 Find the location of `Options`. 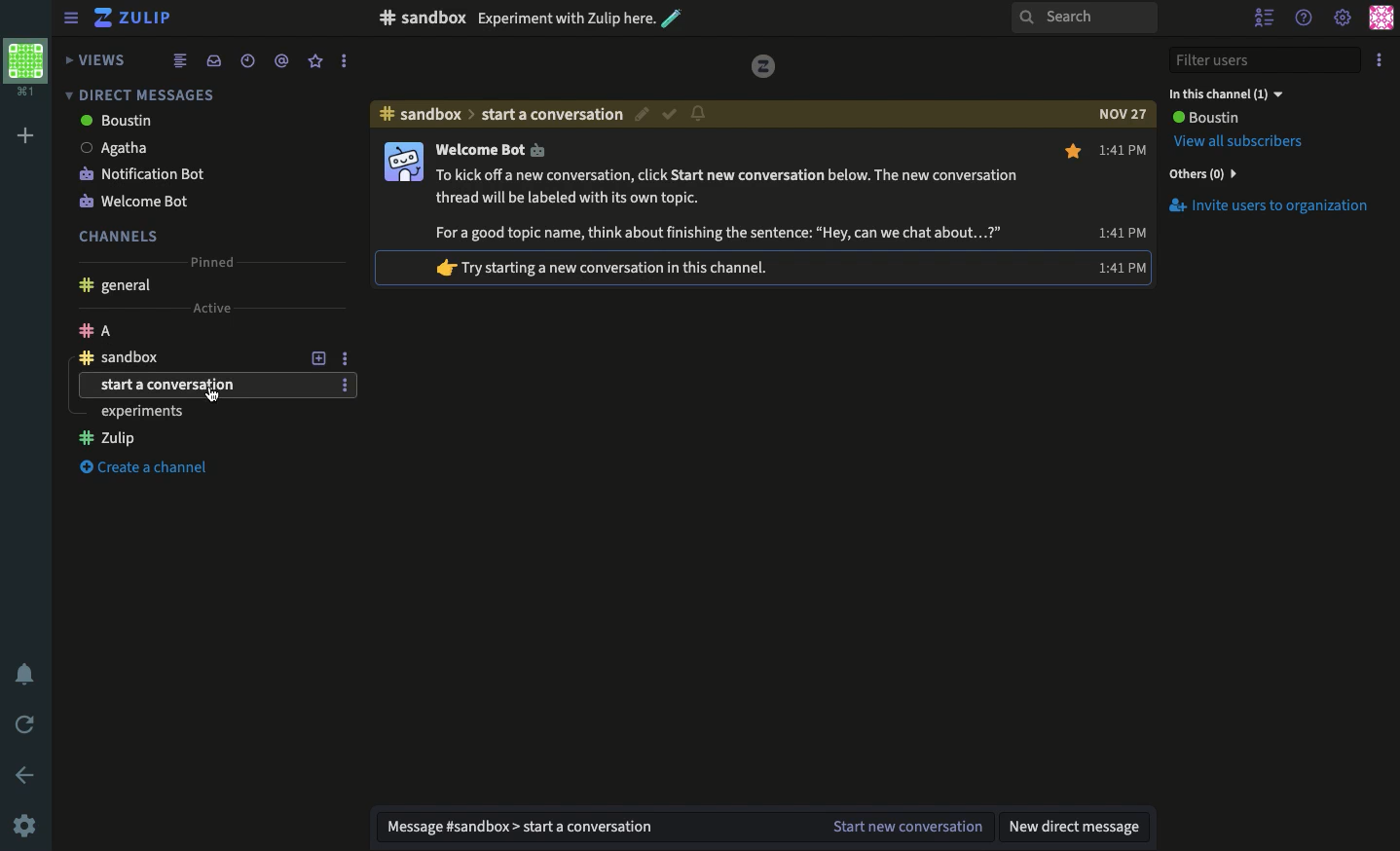

Options is located at coordinates (345, 384).